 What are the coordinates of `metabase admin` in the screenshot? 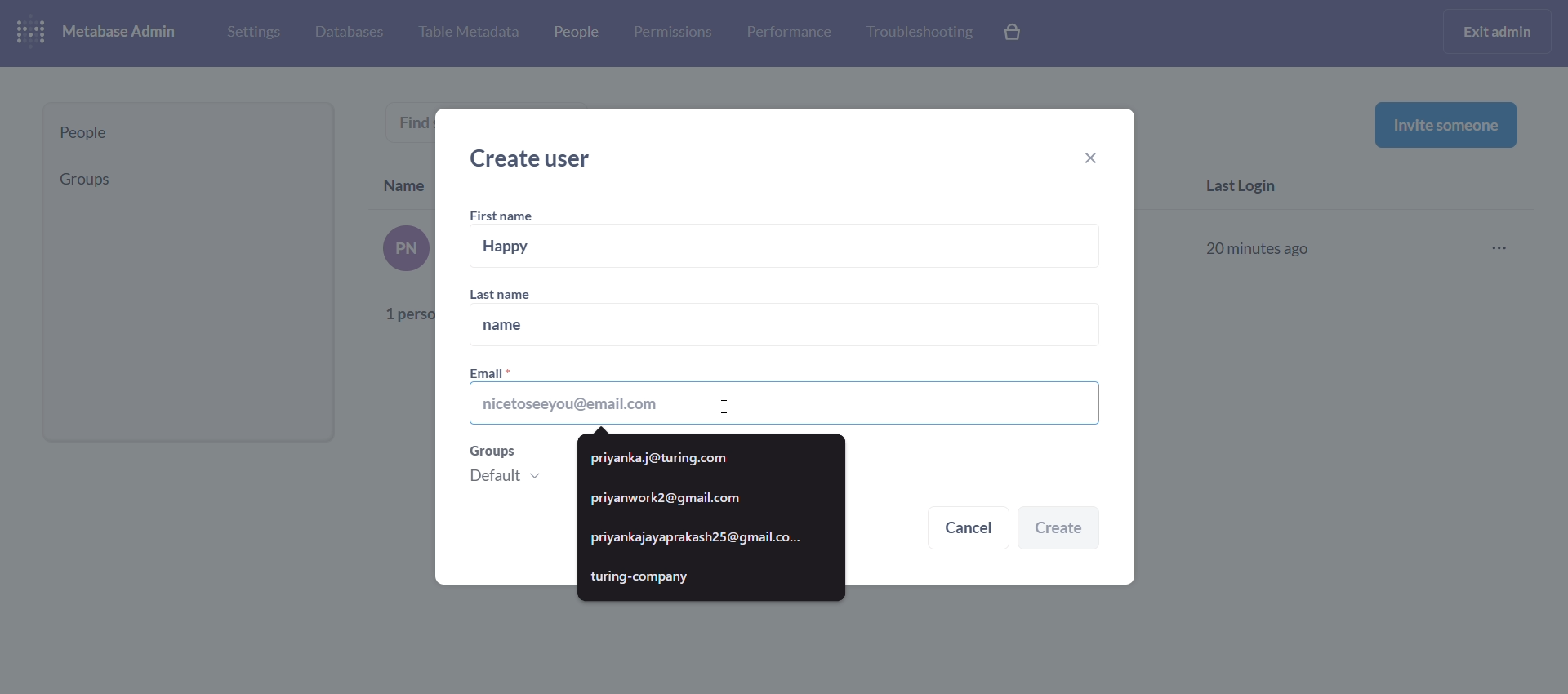 It's located at (126, 33).